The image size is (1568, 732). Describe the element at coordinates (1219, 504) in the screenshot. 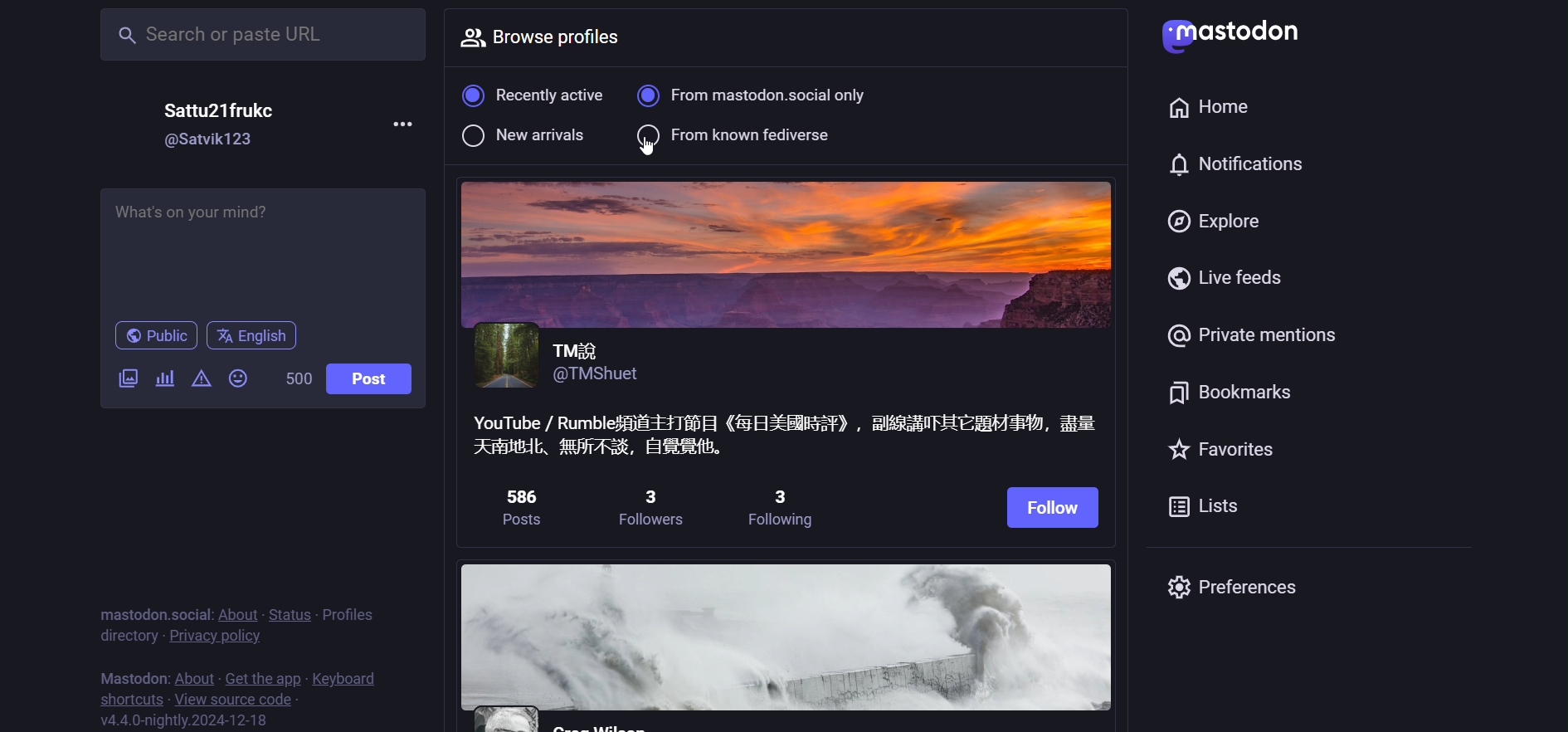

I see `list` at that location.